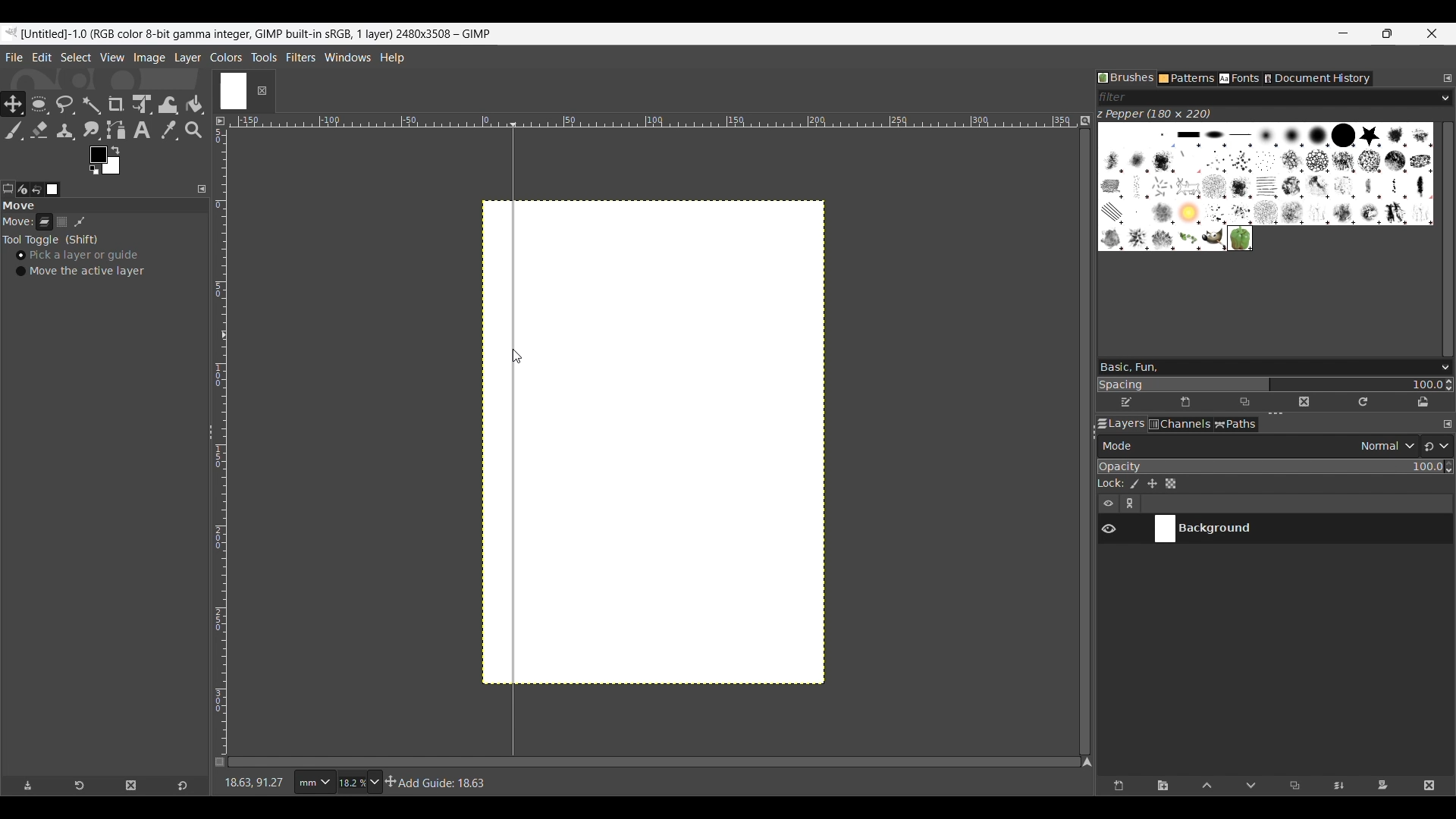 The image size is (1456, 819). I want to click on Move layer one step up, so click(1207, 786).